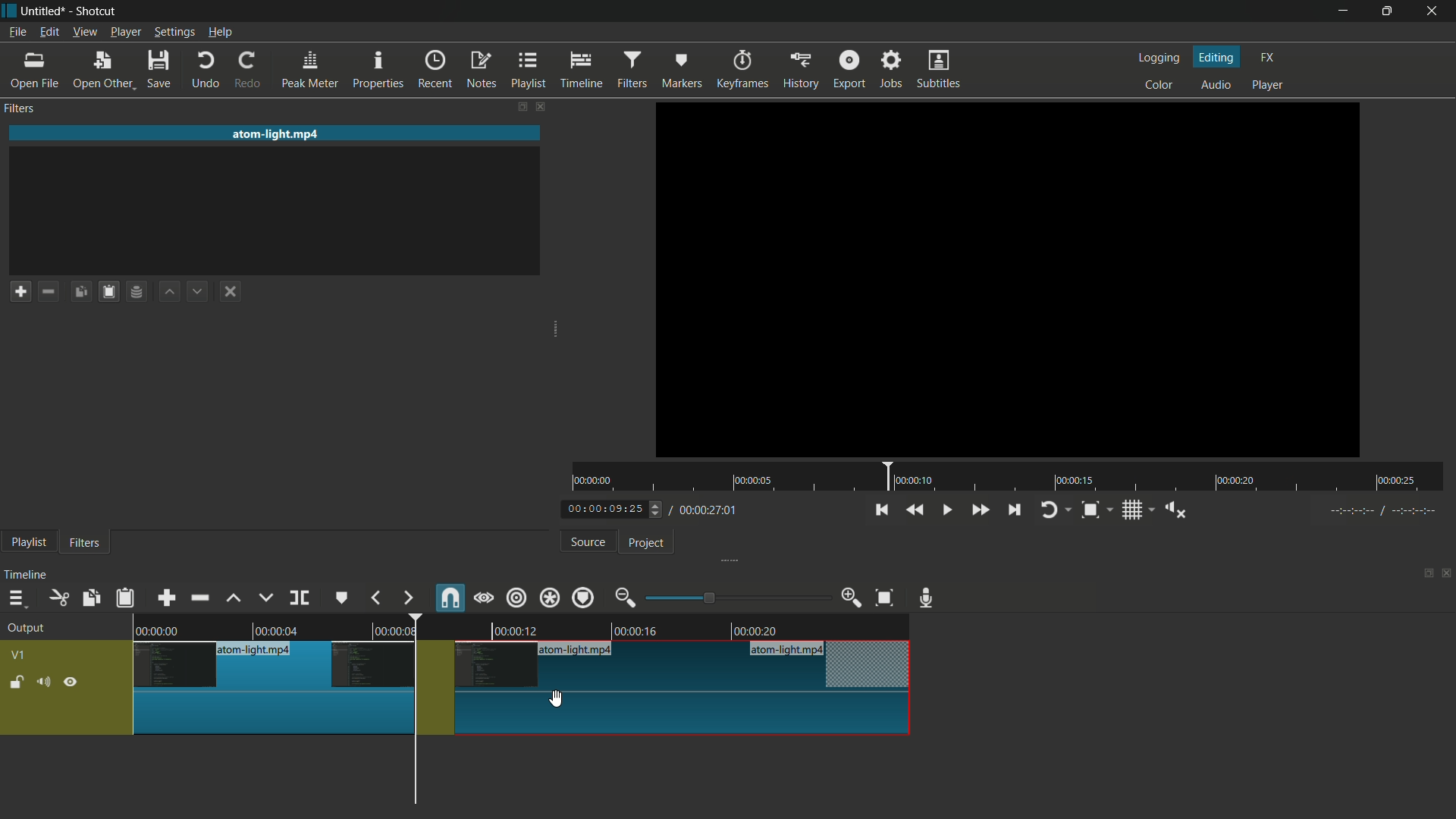 Image resolution: width=1456 pixels, height=819 pixels. What do you see at coordinates (1447, 573) in the screenshot?
I see `close timeline` at bounding box center [1447, 573].